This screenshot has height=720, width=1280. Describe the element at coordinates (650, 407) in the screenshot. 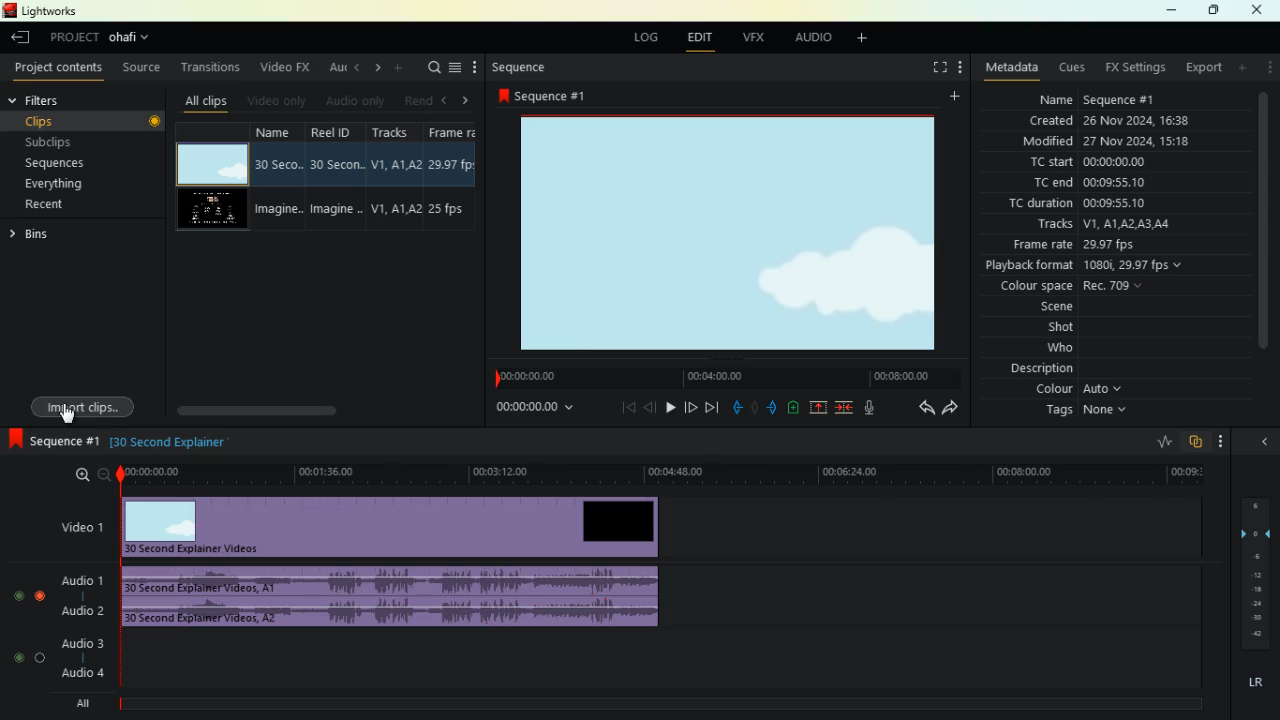

I see `back` at that location.